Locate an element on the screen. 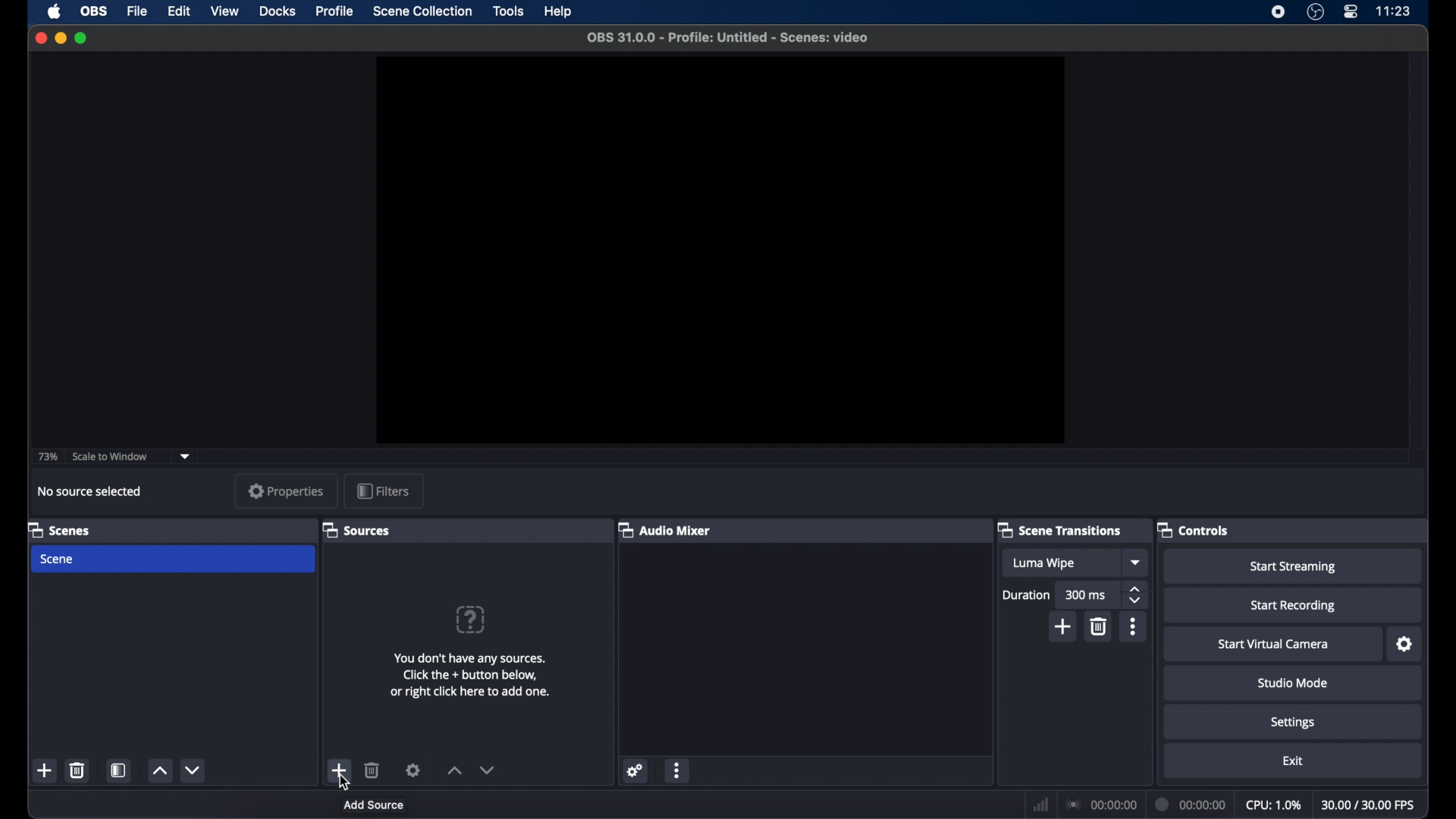 Image resolution: width=1456 pixels, height=819 pixels. start streaming is located at coordinates (1295, 567).